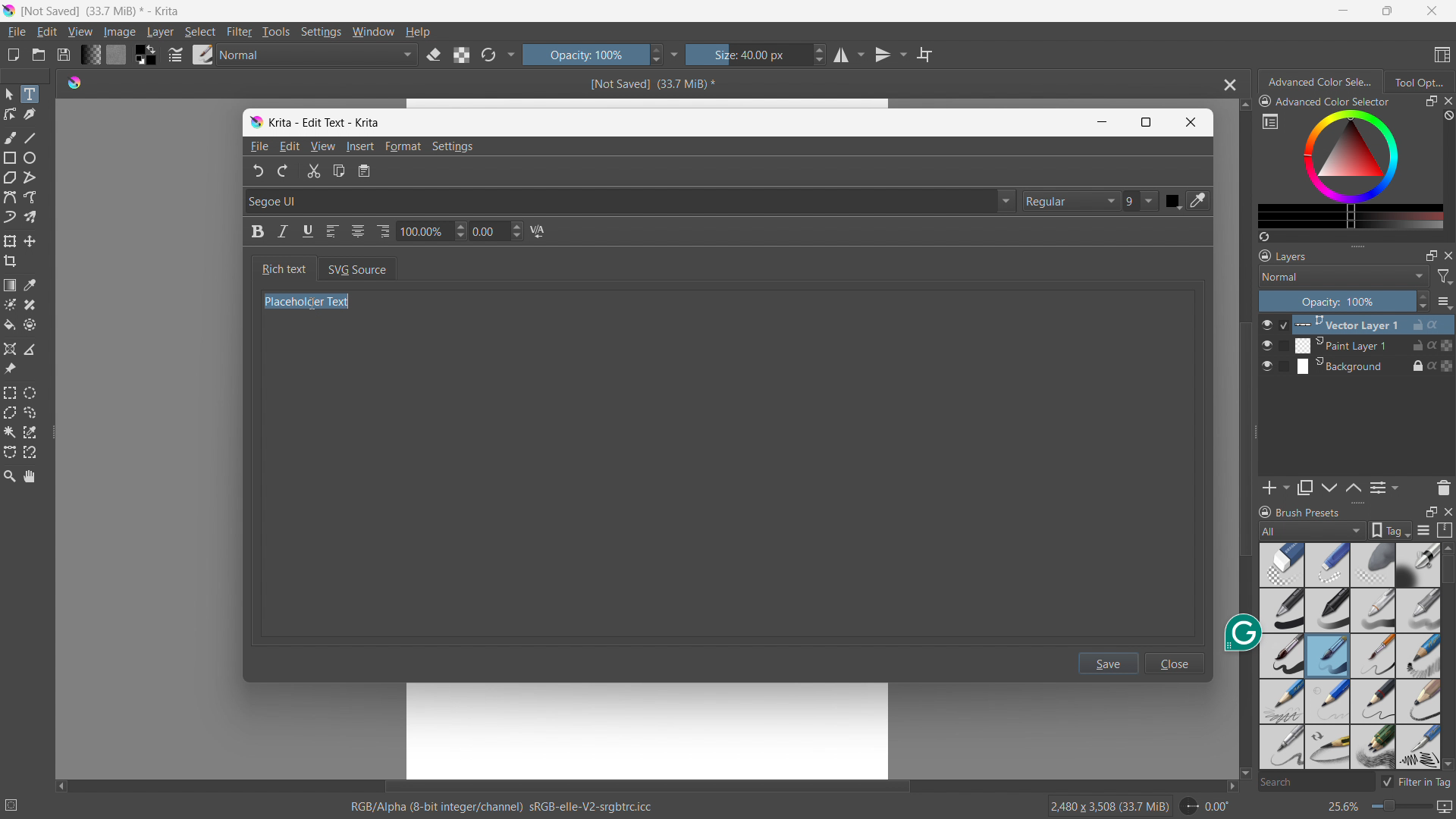  Describe the element at coordinates (146, 55) in the screenshot. I see `swap foreground and background colors` at that location.